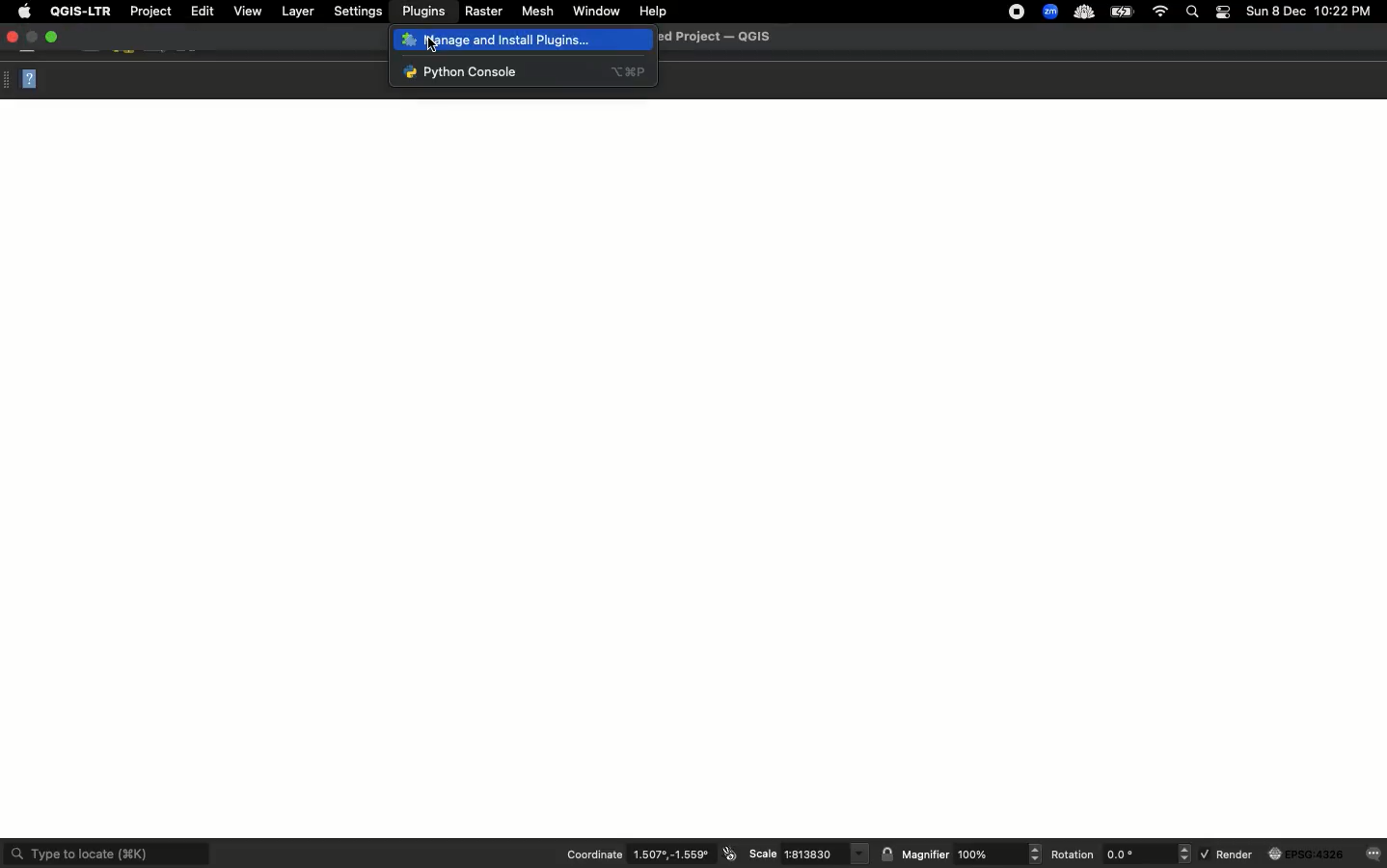 This screenshot has width=1387, height=868. Describe the element at coordinates (204, 11) in the screenshot. I see `Edit` at that location.